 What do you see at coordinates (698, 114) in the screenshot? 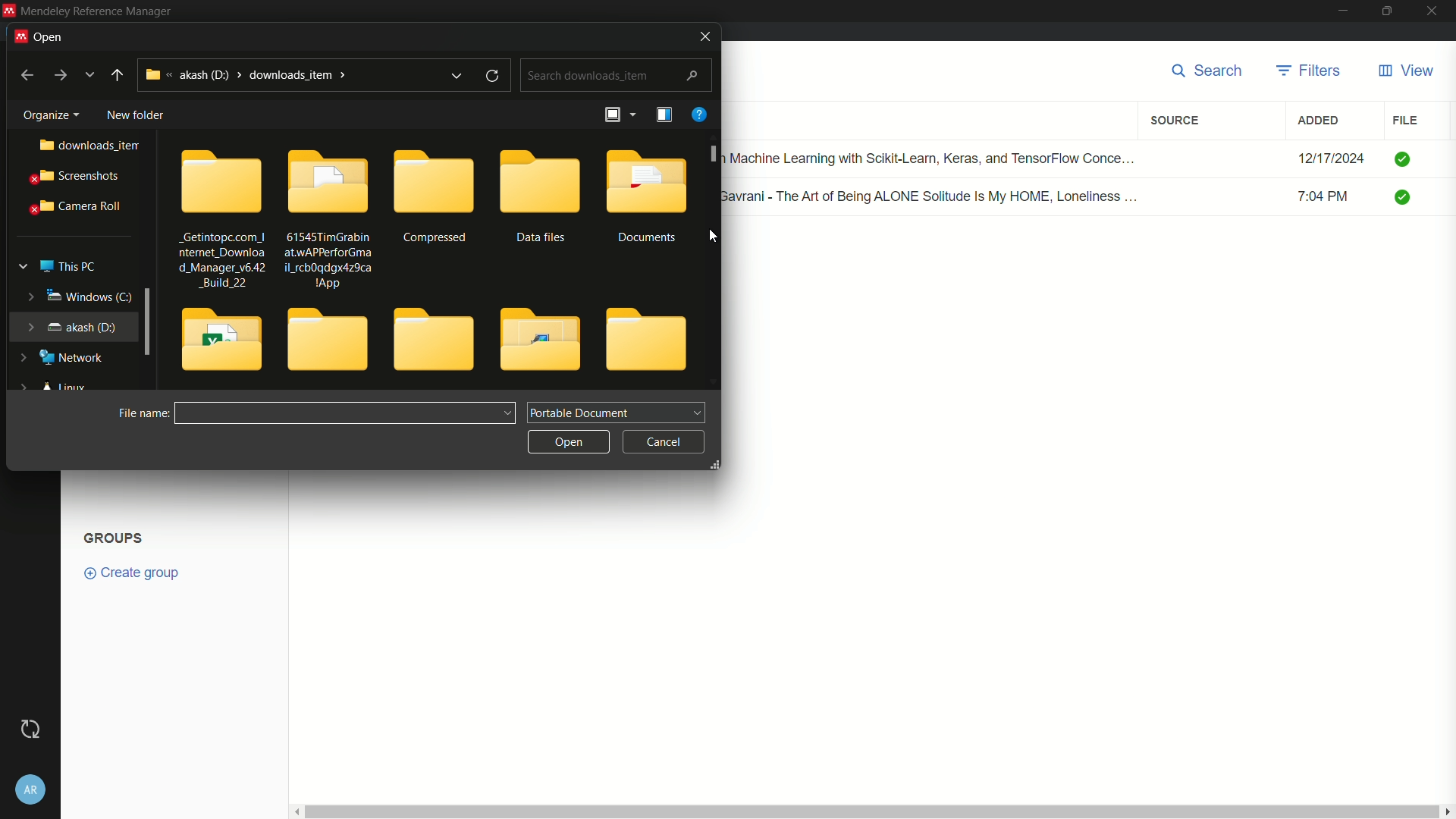
I see `help` at bounding box center [698, 114].